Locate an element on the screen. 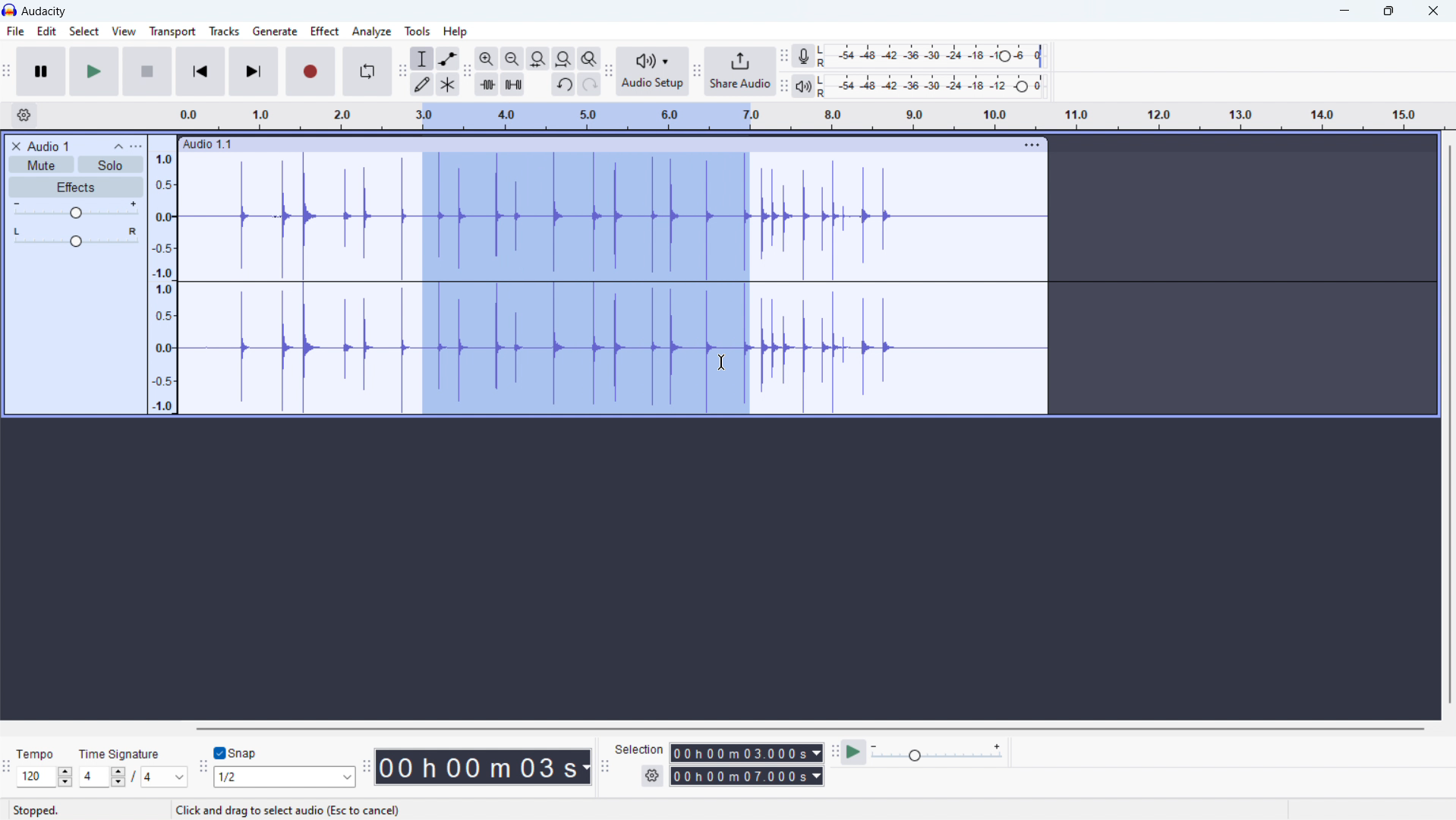 The height and width of the screenshot is (820, 1456). collapse is located at coordinates (118, 147).